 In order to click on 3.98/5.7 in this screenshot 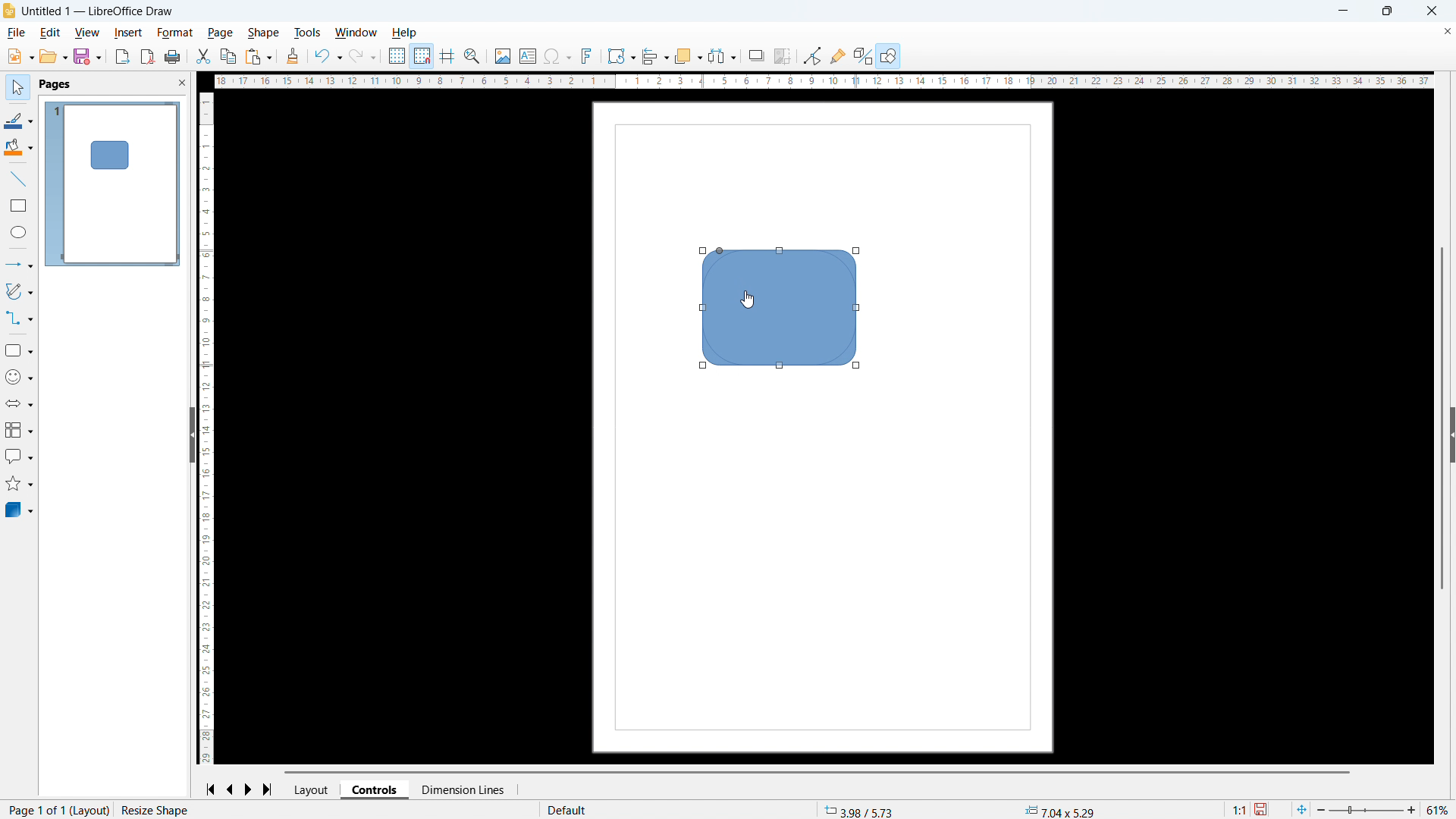, I will do `click(862, 810)`.